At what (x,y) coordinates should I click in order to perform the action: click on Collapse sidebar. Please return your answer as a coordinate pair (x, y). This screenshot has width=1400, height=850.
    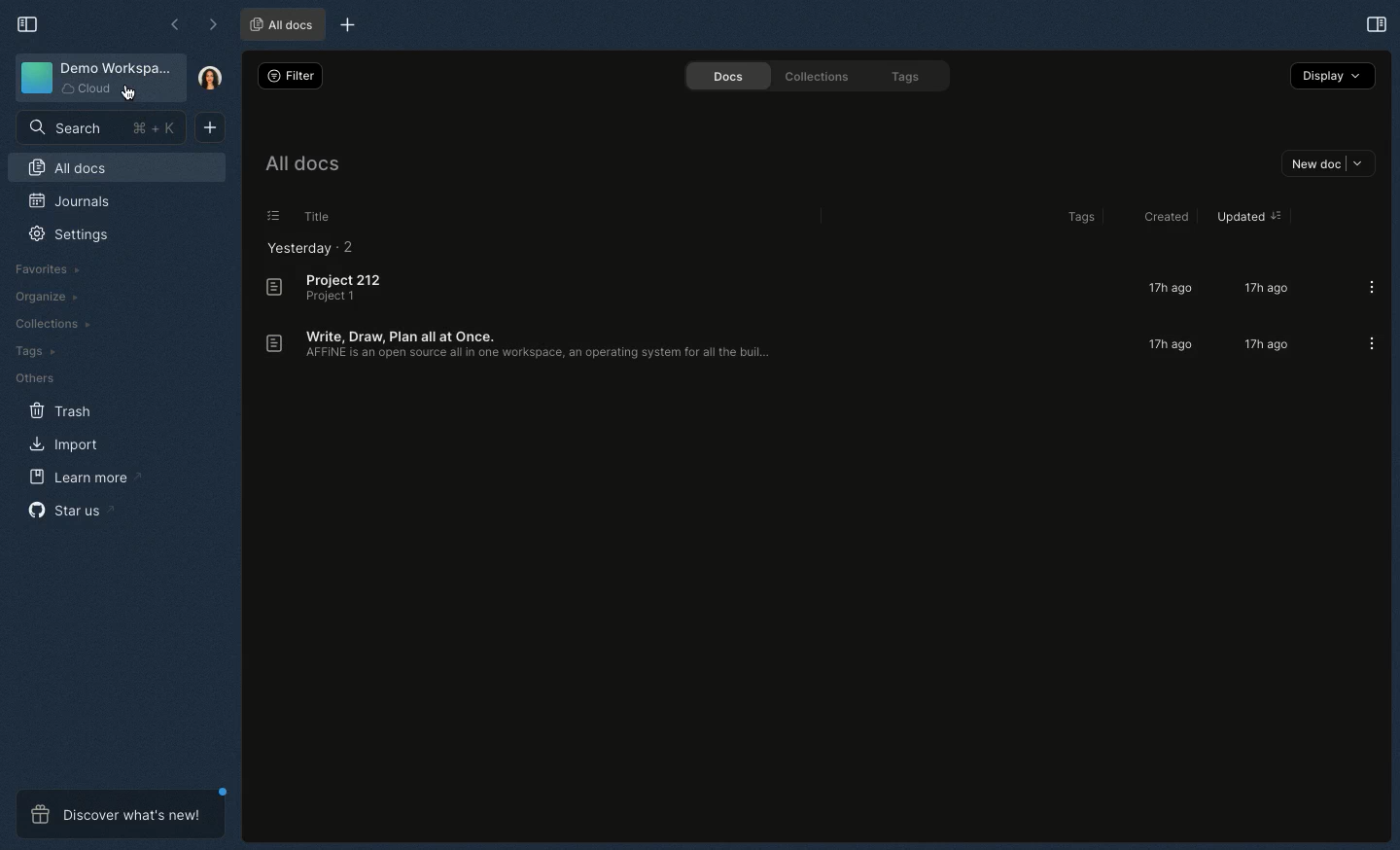
    Looking at the image, I should click on (26, 23).